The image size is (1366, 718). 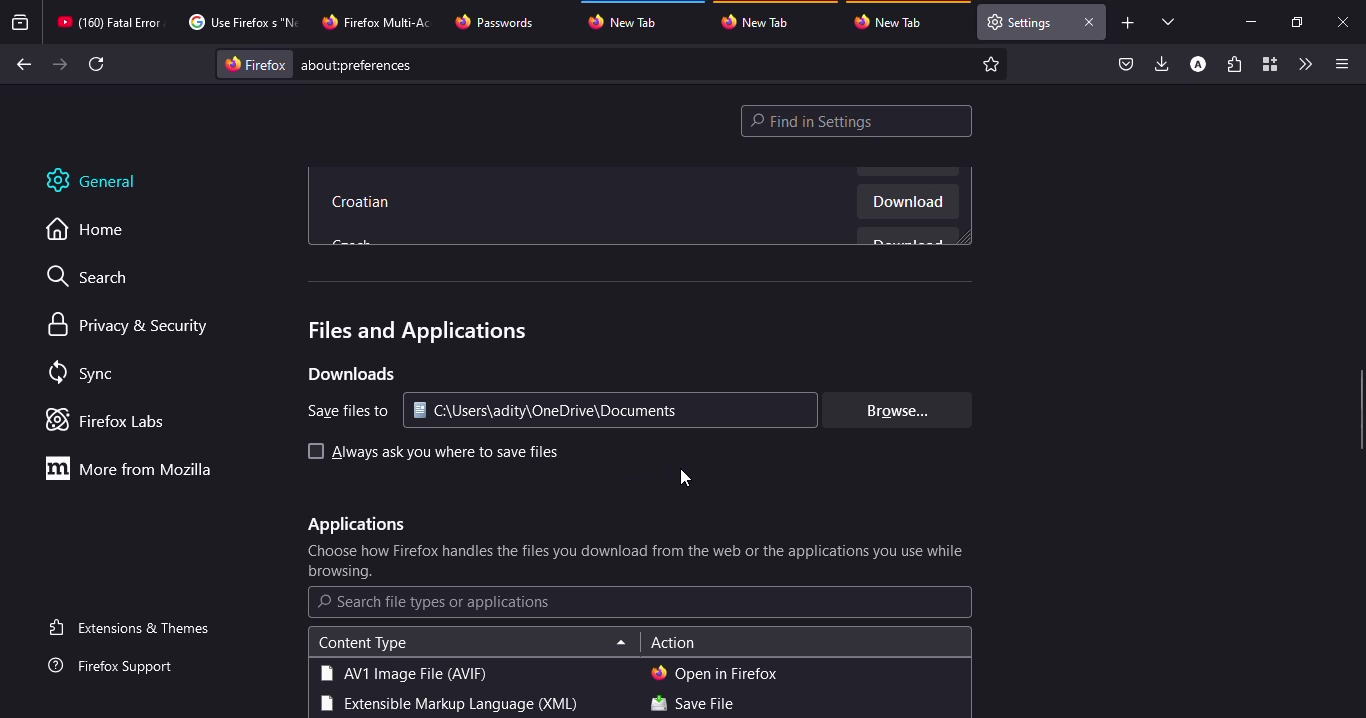 I want to click on type, so click(x=446, y=705).